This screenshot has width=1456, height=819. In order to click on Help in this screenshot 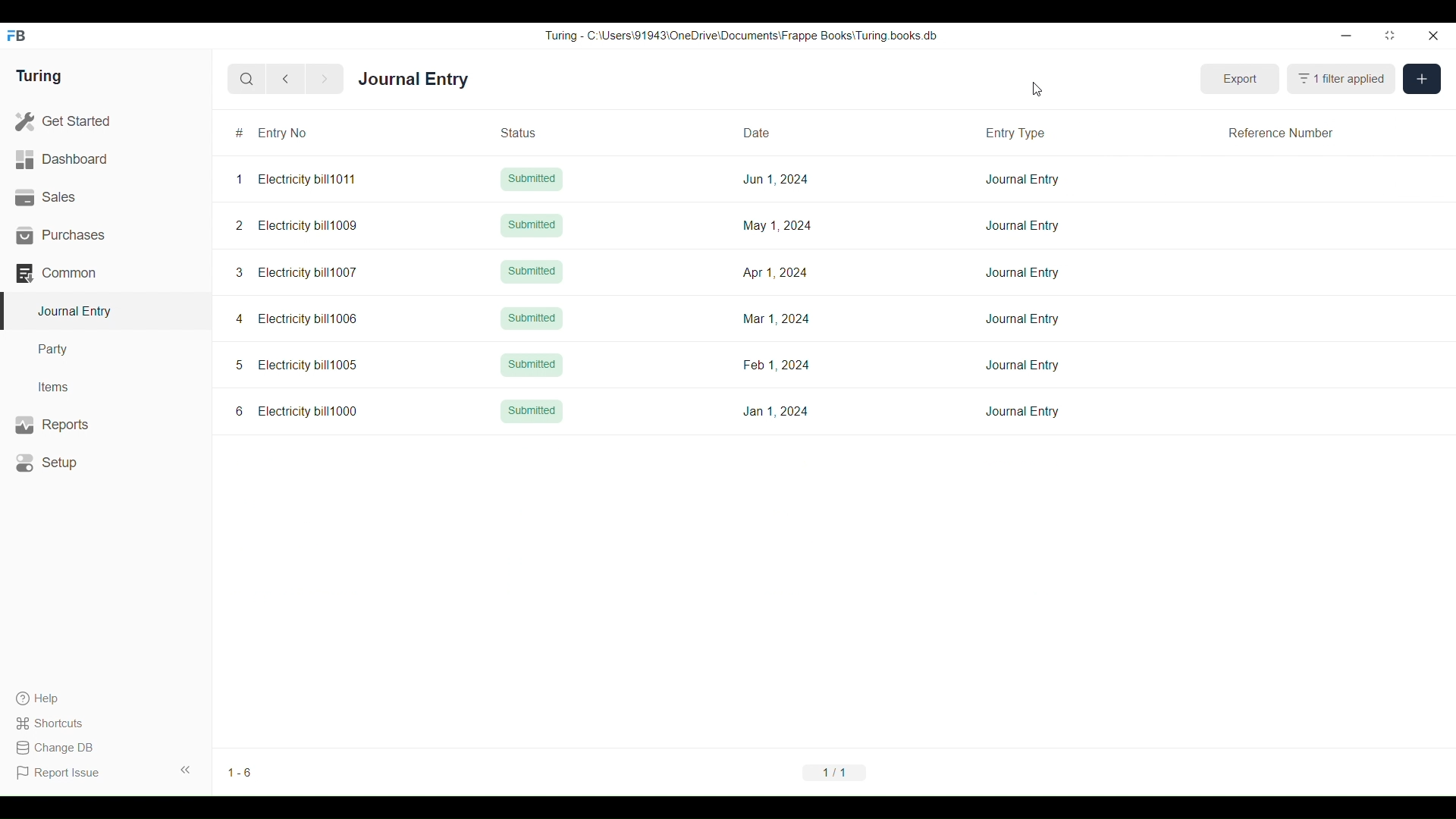, I will do `click(57, 698)`.